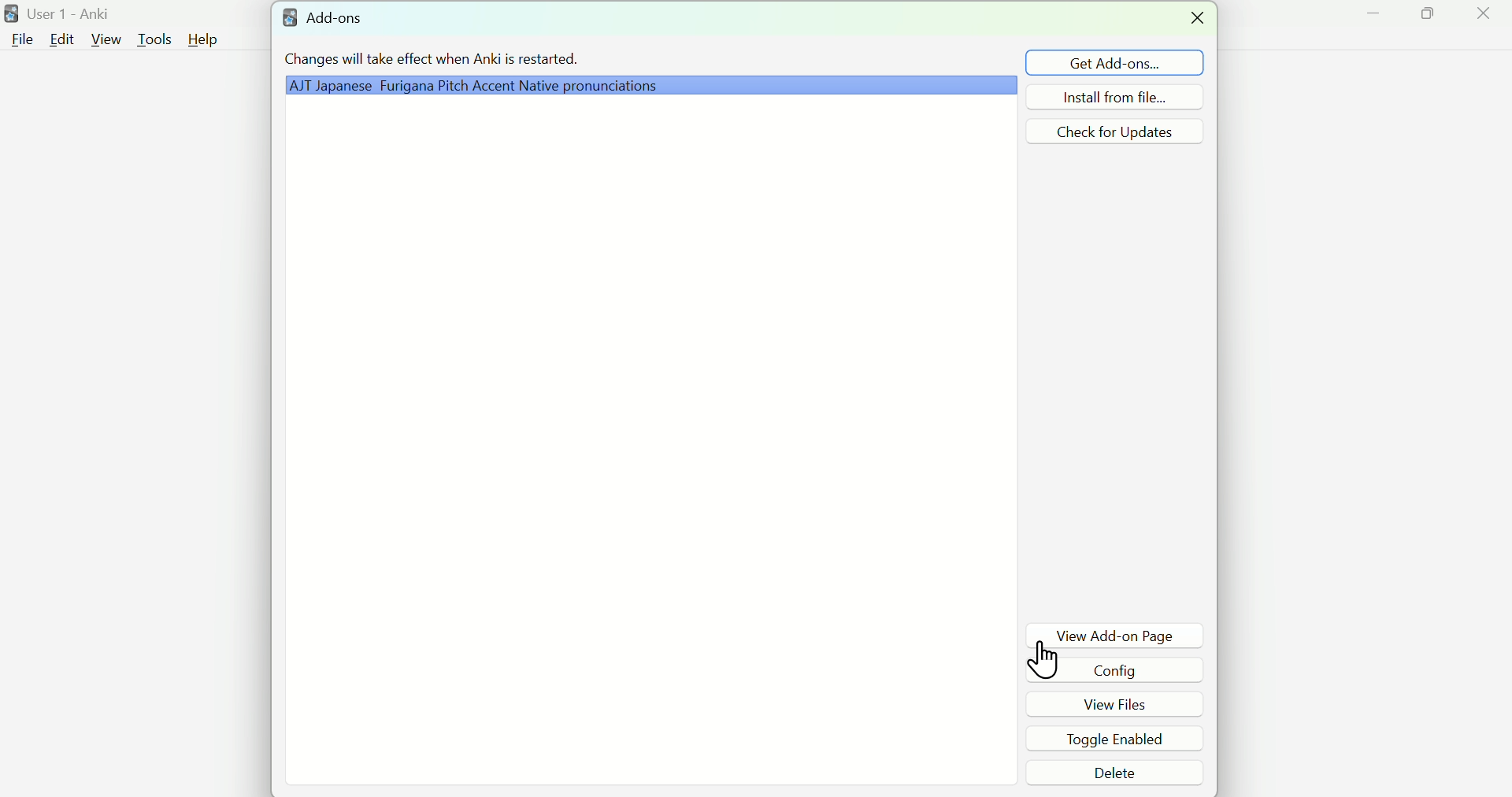  What do you see at coordinates (1121, 59) in the screenshot?
I see `Get Add ons` at bounding box center [1121, 59].